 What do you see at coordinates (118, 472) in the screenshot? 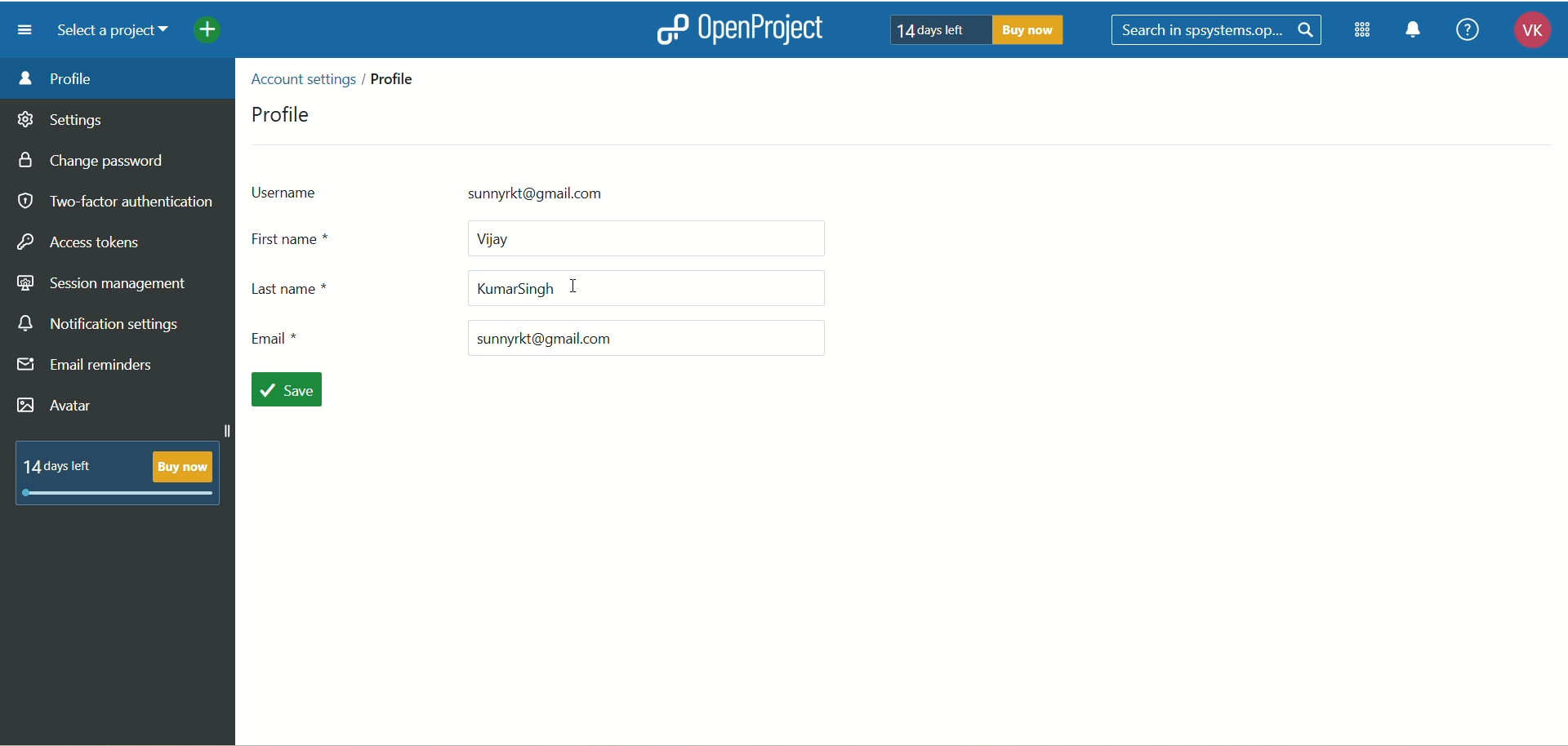
I see `text` at bounding box center [118, 472].